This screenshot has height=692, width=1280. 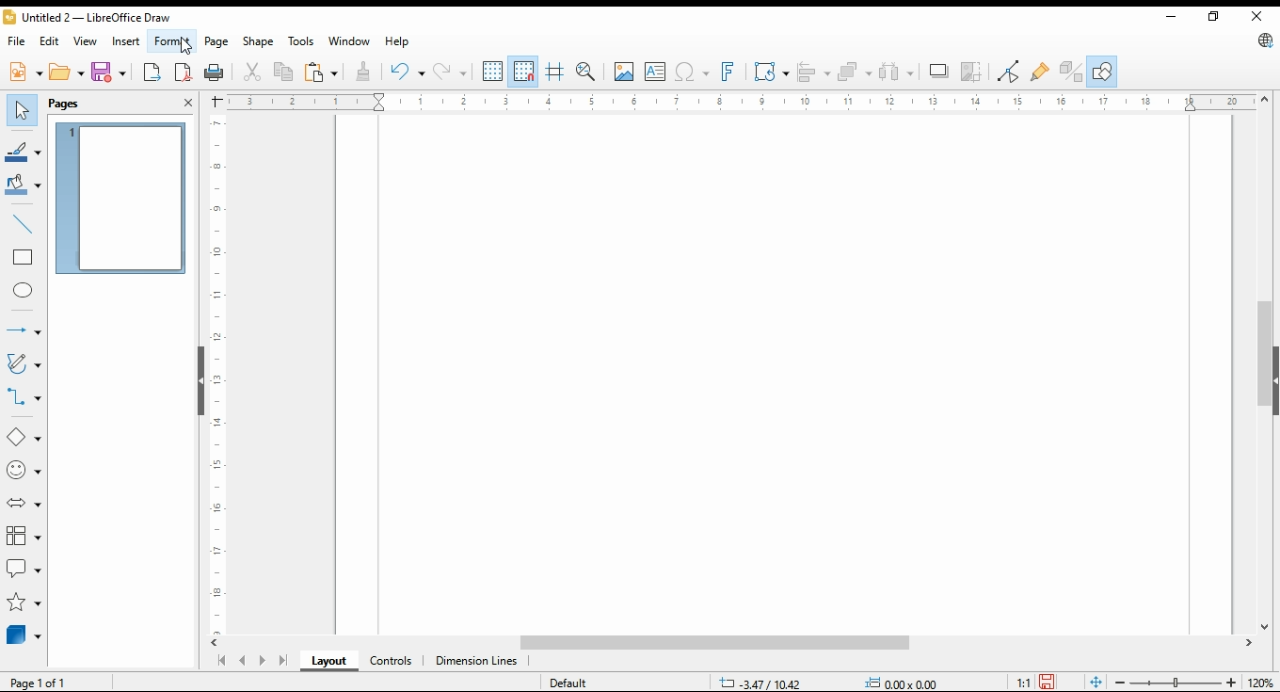 I want to click on page 1 of 1, so click(x=40, y=682).